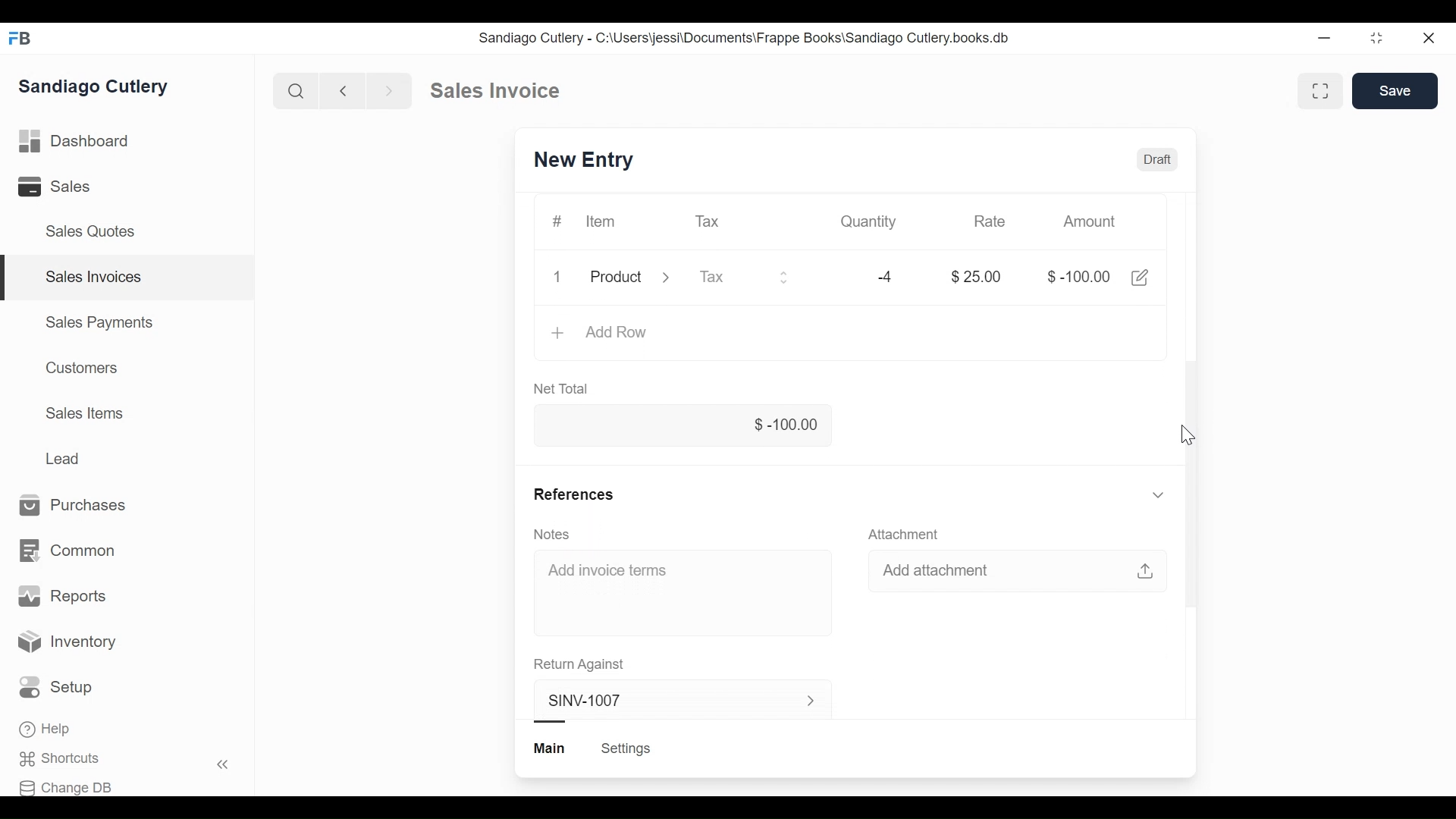 Image resolution: width=1456 pixels, height=819 pixels. What do you see at coordinates (74, 141) in the screenshot?
I see `Dashboard` at bounding box center [74, 141].